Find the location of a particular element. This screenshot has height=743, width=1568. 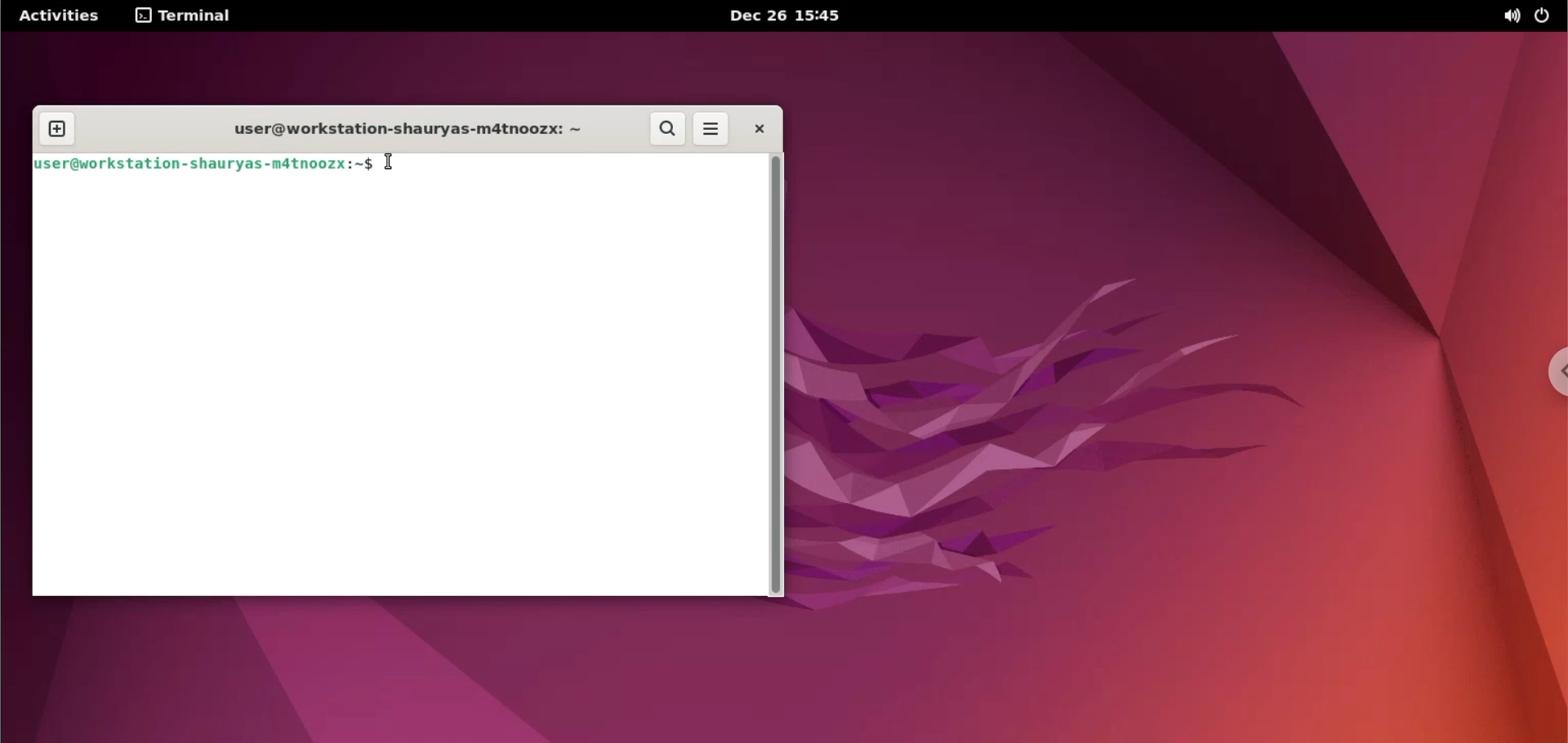

cursor is located at coordinates (390, 162).